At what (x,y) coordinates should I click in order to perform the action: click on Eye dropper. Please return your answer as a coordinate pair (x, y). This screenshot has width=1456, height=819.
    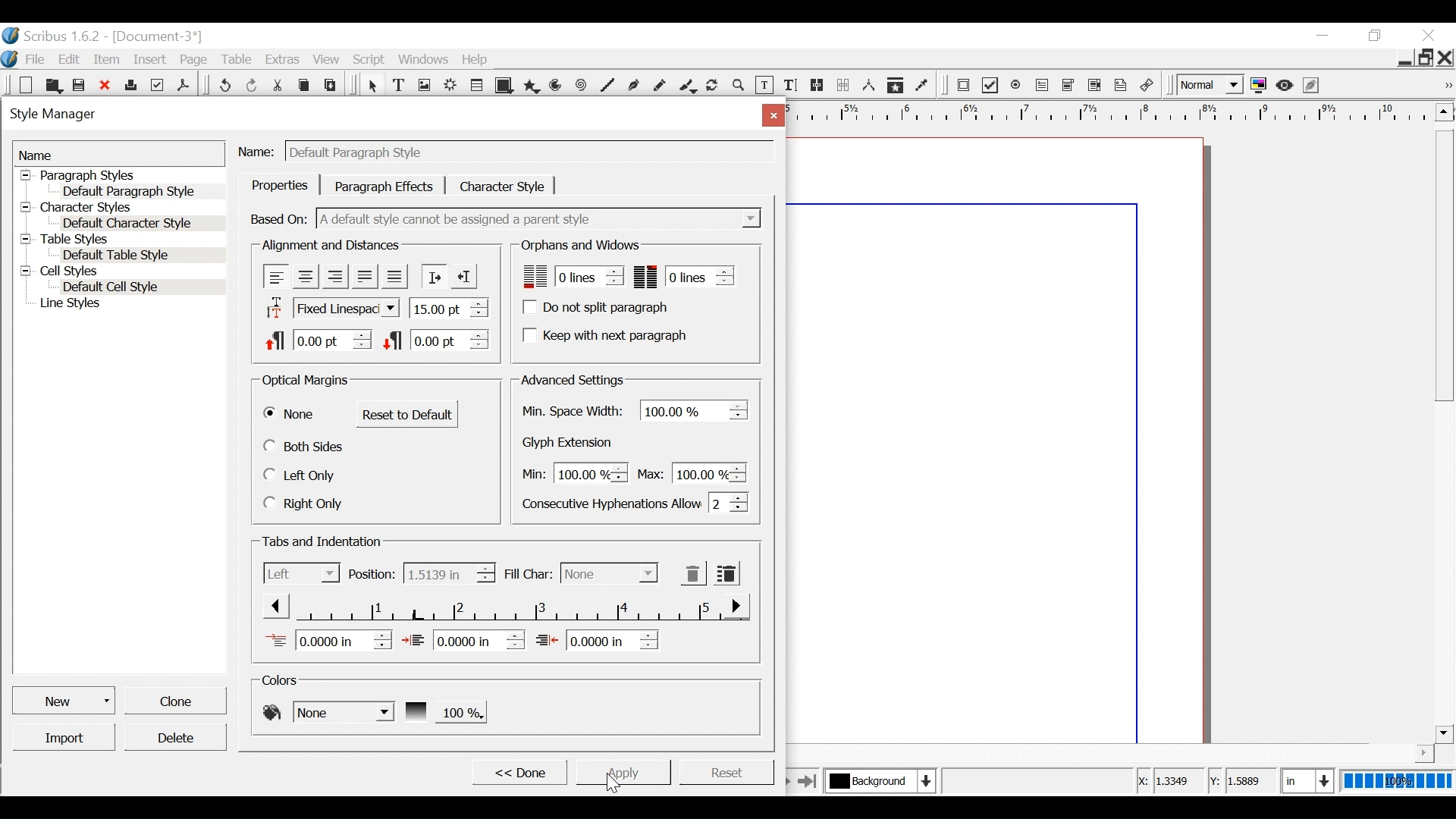
    Looking at the image, I should click on (923, 86).